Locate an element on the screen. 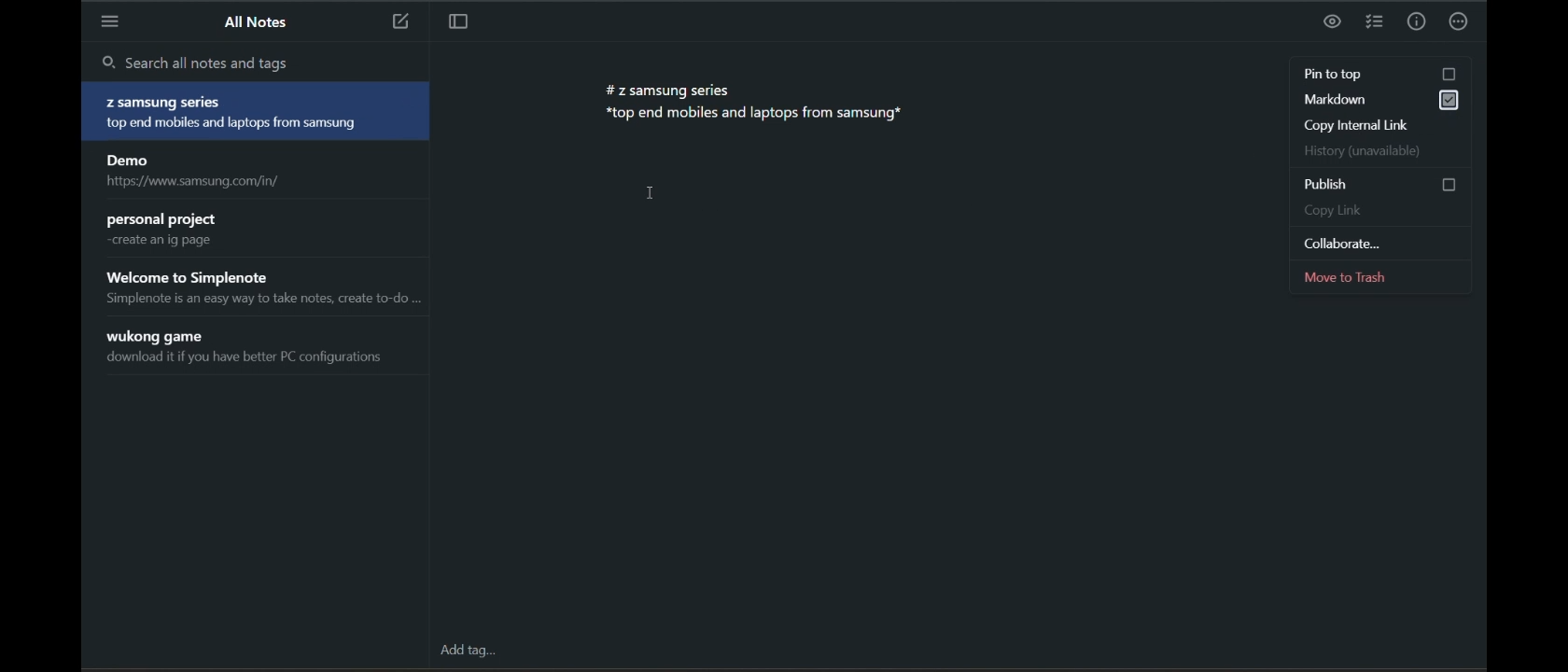 The height and width of the screenshot is (672, 1568). preview is located at coordinates (1332, 21).